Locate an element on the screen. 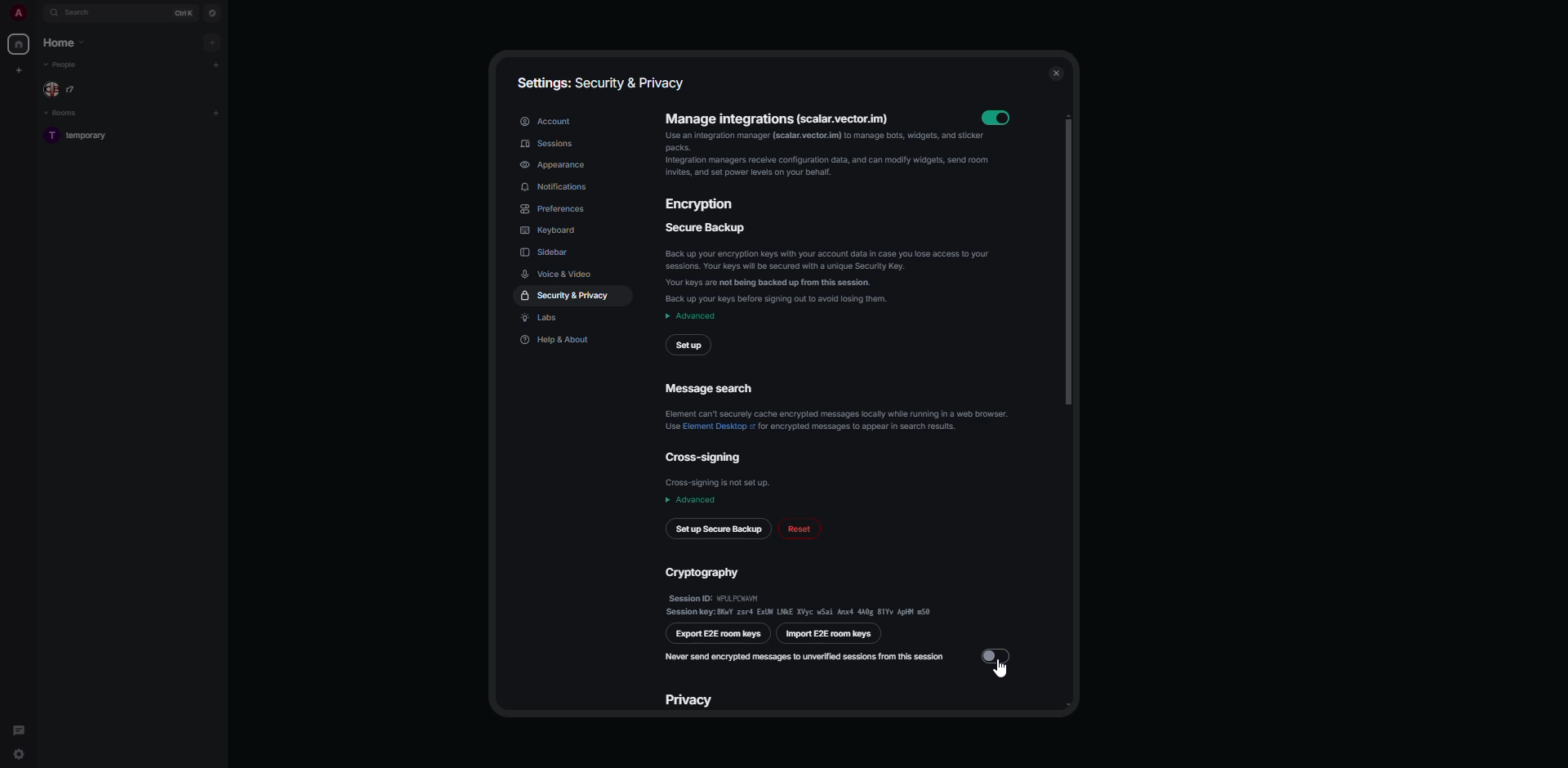 This screenshot has height=768, width=1568. cryptography is located at coordinates (800, 590).